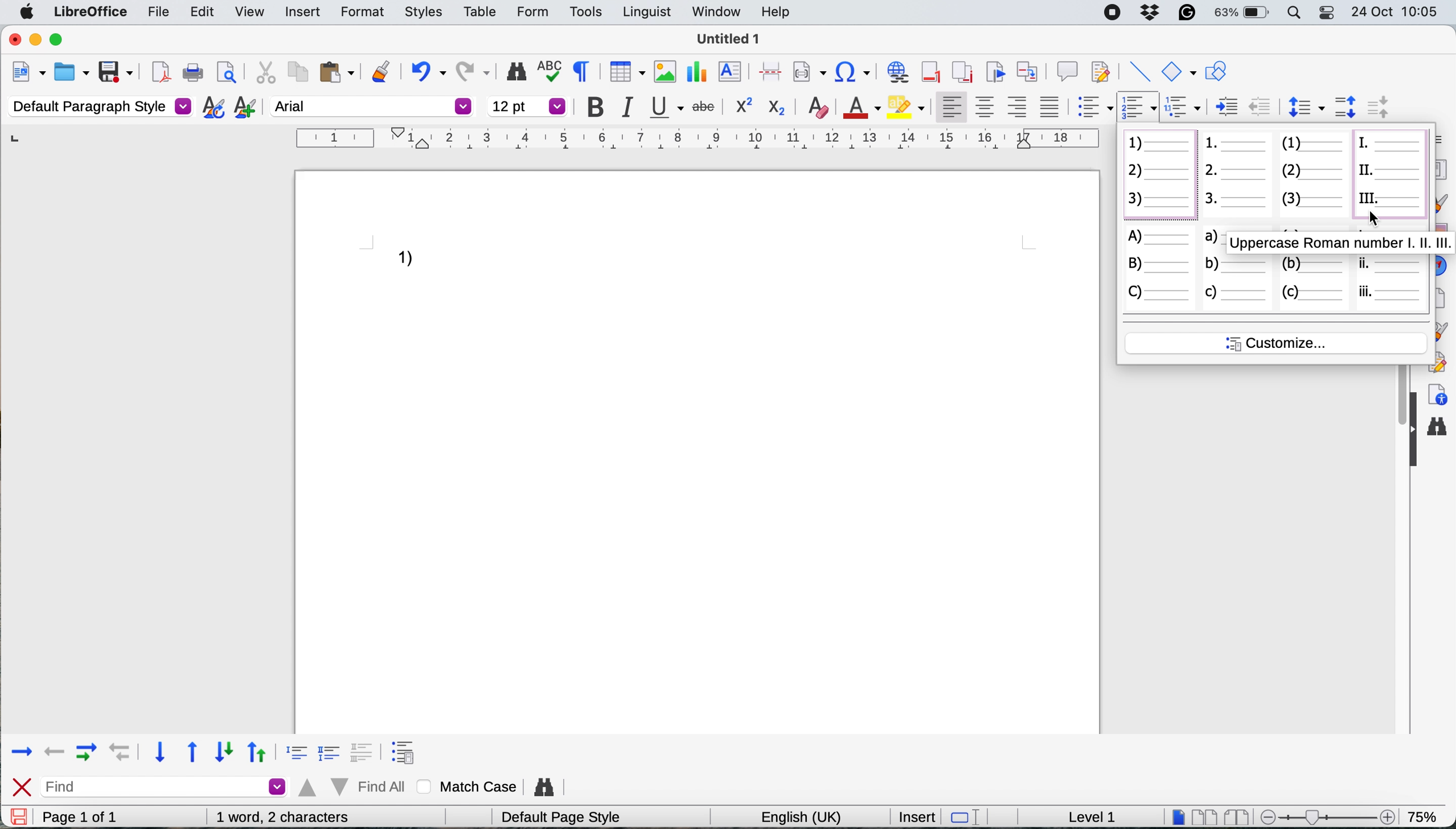 The width and height of the screenshot is (1456, 829). Describe the element at coordinates (224, 752) in the screenshot. I see `down` at that location.